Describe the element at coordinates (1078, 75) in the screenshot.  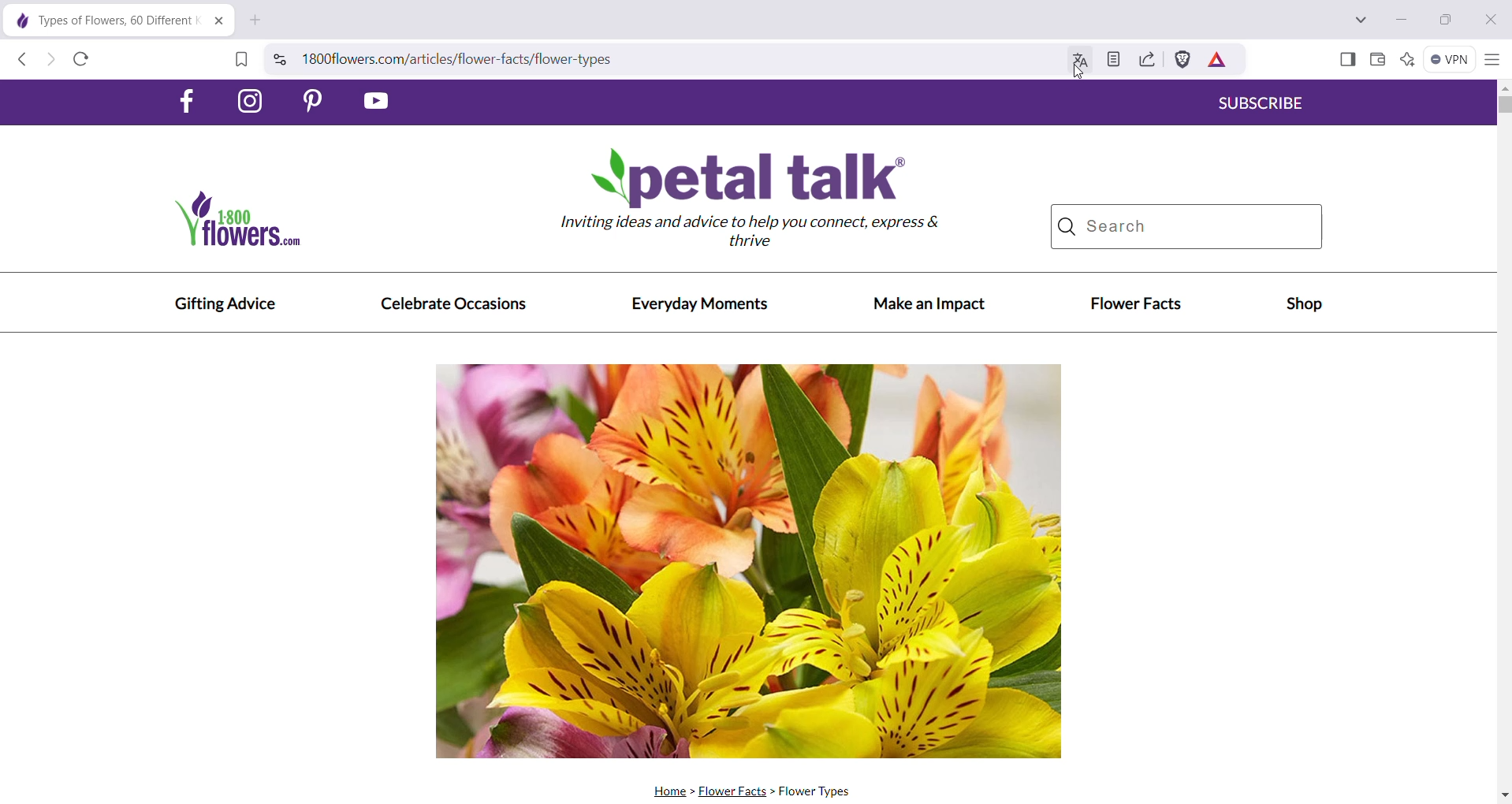
I see `cursor` at that location.